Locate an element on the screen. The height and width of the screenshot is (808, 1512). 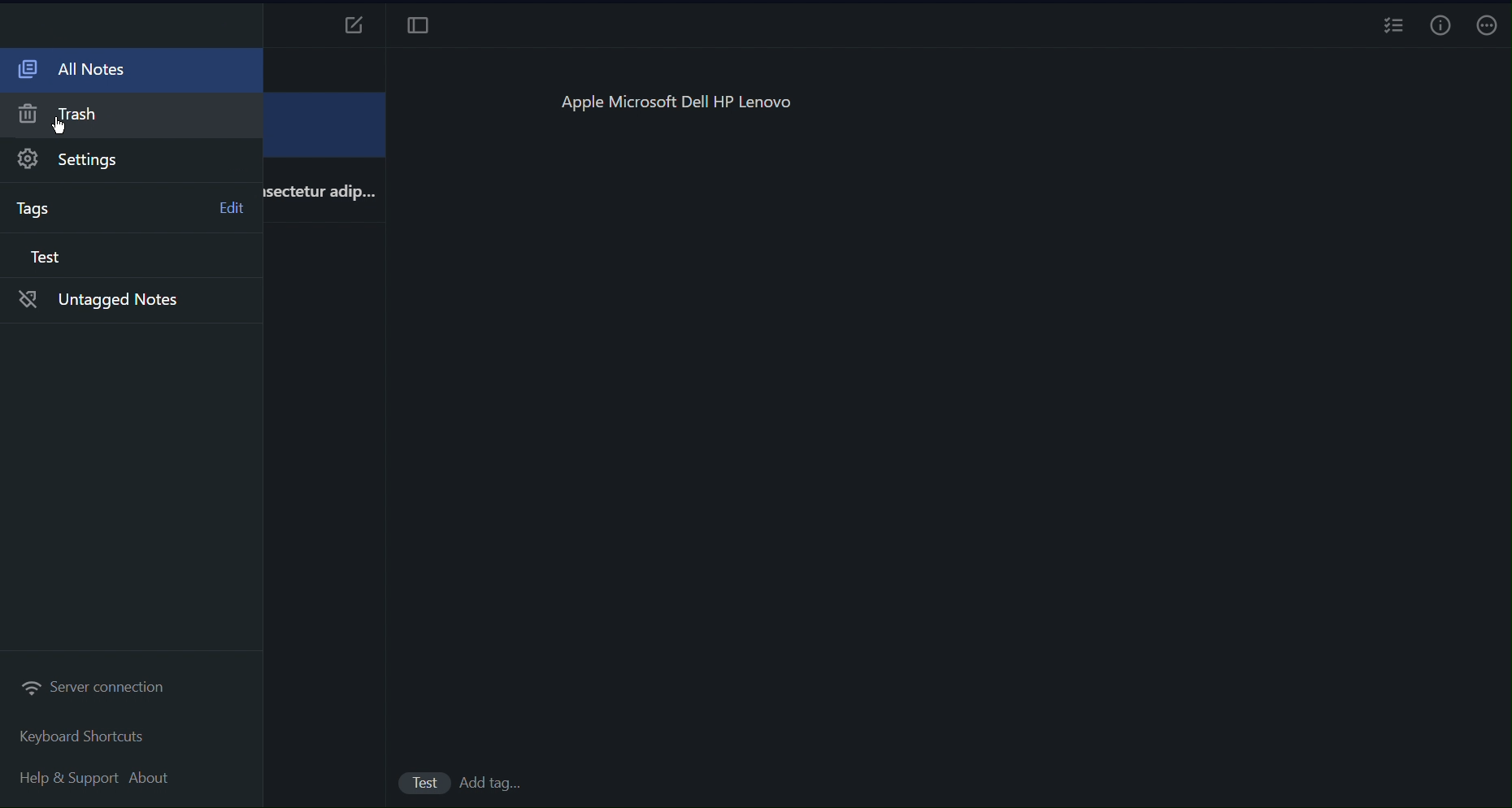
More is located at coordinates (1488, 25).